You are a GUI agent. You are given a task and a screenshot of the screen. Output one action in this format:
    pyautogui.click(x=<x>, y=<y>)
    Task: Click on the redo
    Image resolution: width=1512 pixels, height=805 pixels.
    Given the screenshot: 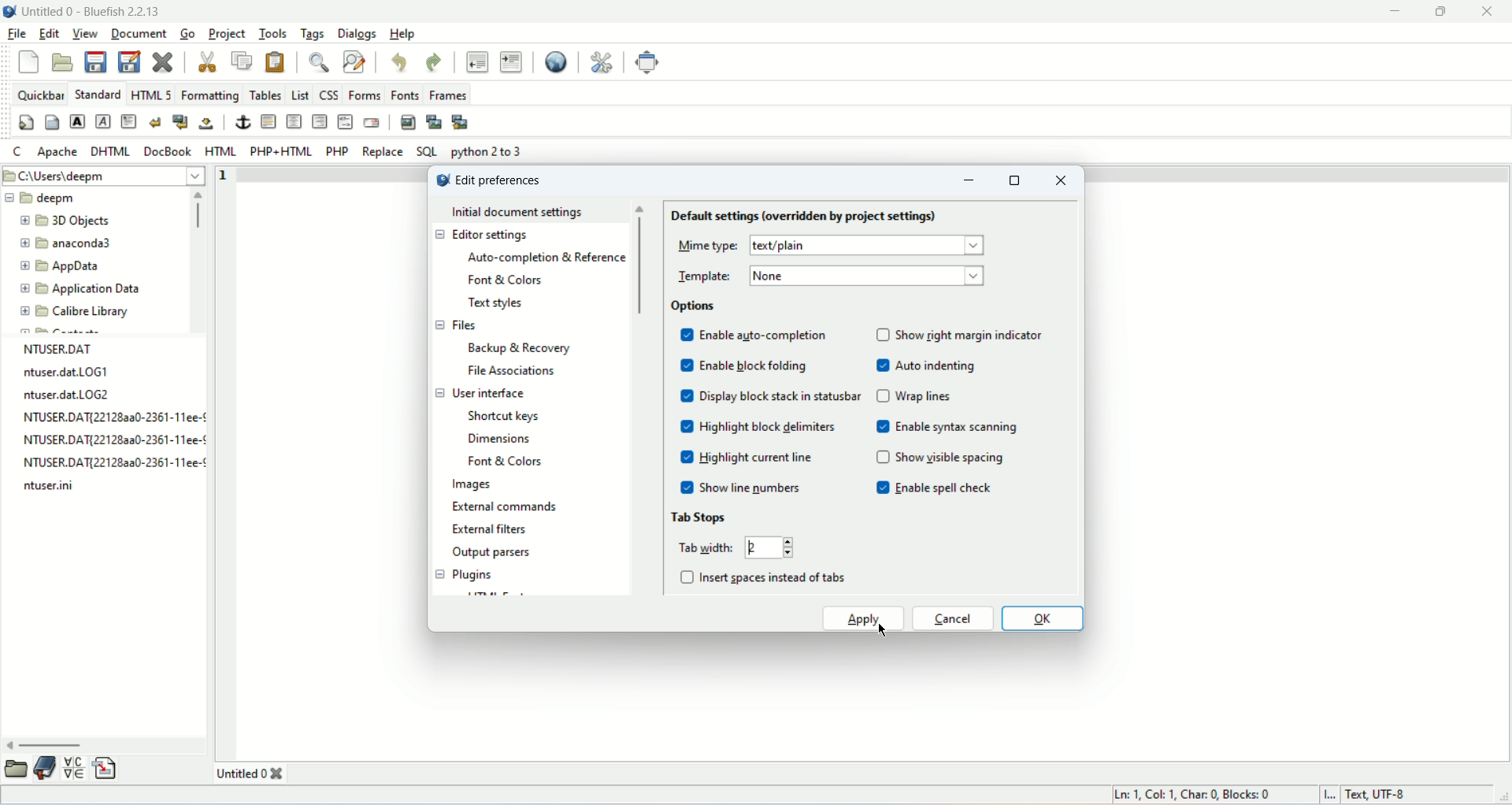 What is the action you would take?
    pyautogui.click(x=432, y=61)
    